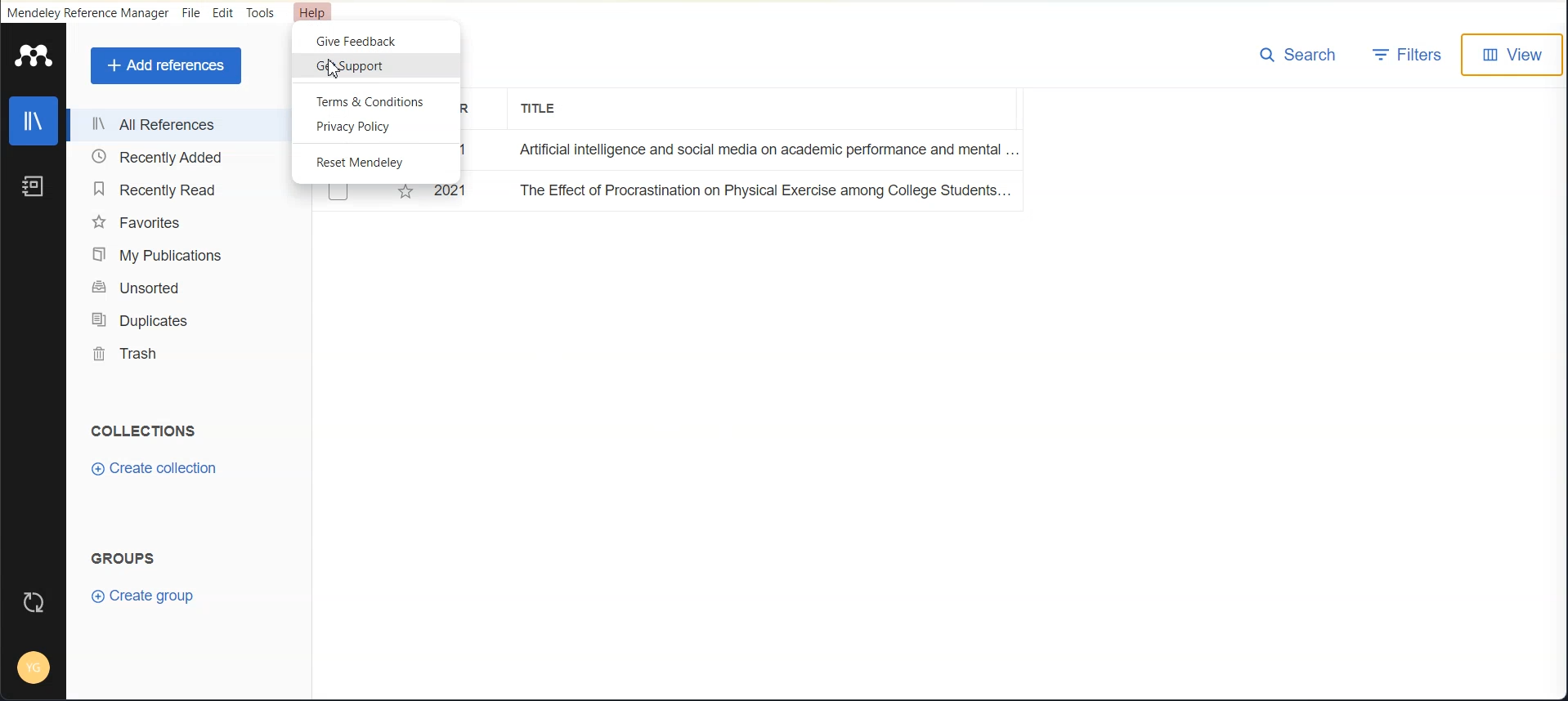 This screenshot has height=701, width=1568. Describe the element at coordinates (181, 125) in the screenshot. I see `All References` at that location.